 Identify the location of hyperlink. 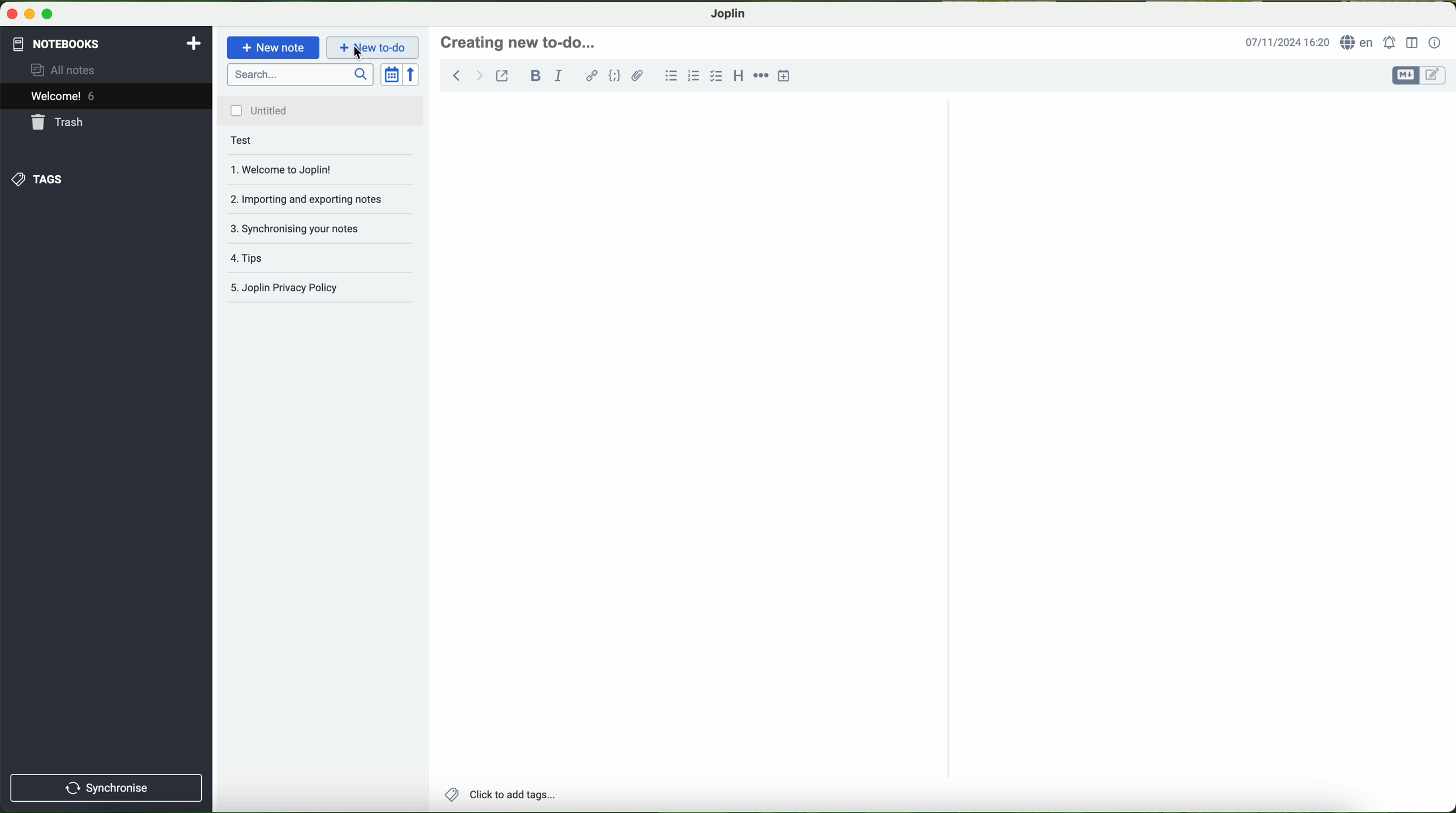
(589, 76).